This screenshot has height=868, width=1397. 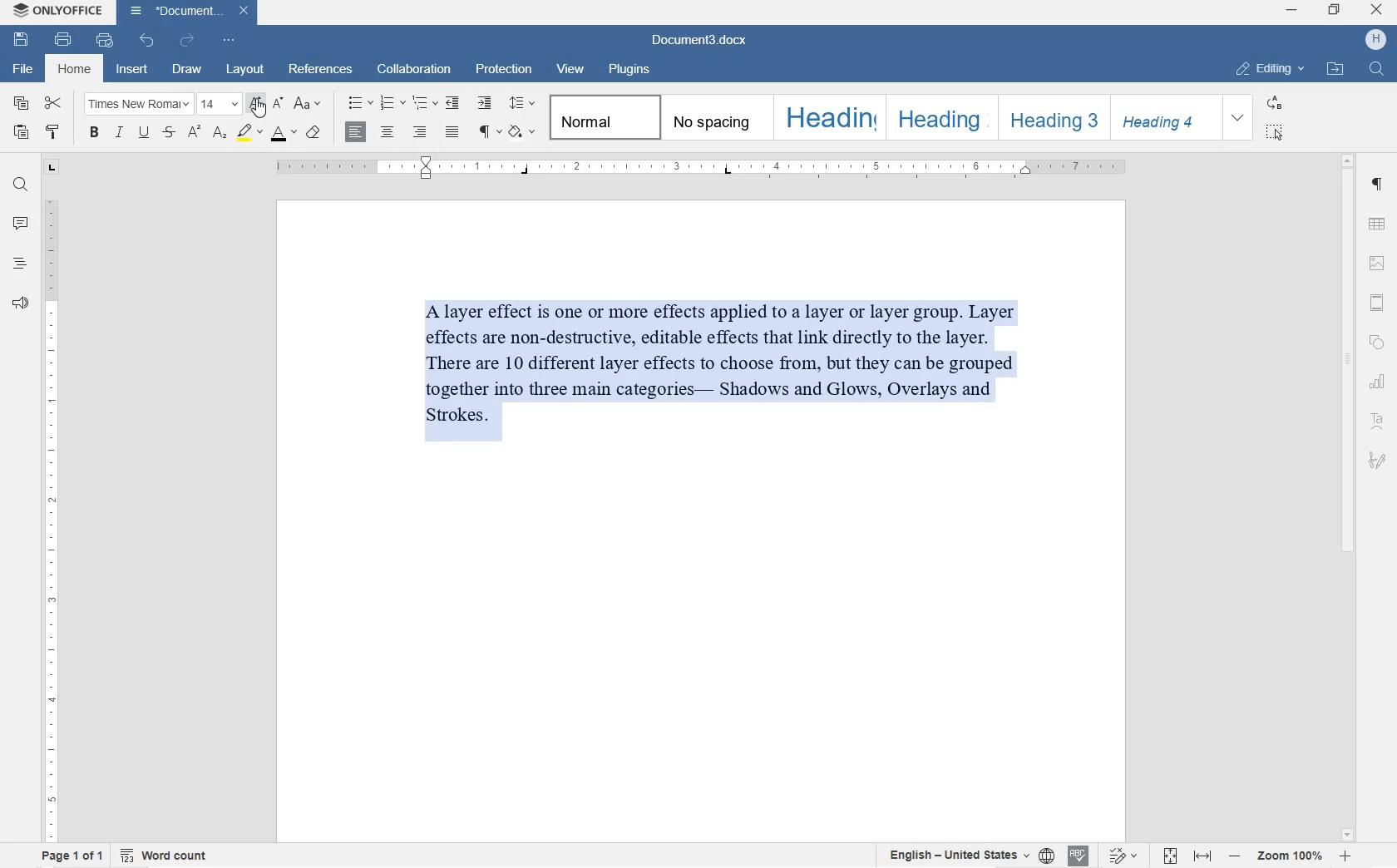 What do you see at coordinates (22, 225) in the screenshot?
I see `comments` at bounding box center [22, 225].